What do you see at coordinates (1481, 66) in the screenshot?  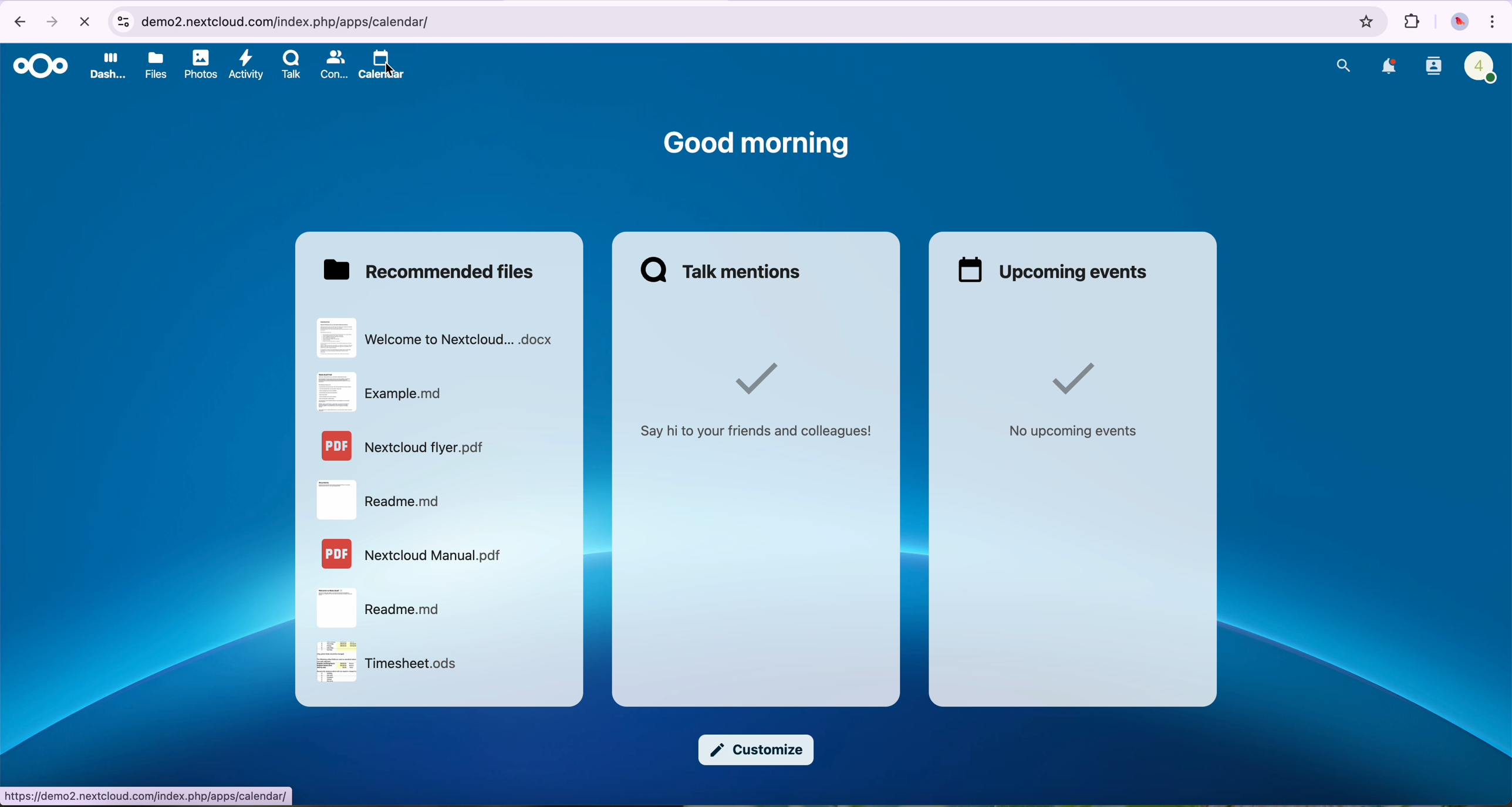 I see `profile` at bounding box center [1481, 66].